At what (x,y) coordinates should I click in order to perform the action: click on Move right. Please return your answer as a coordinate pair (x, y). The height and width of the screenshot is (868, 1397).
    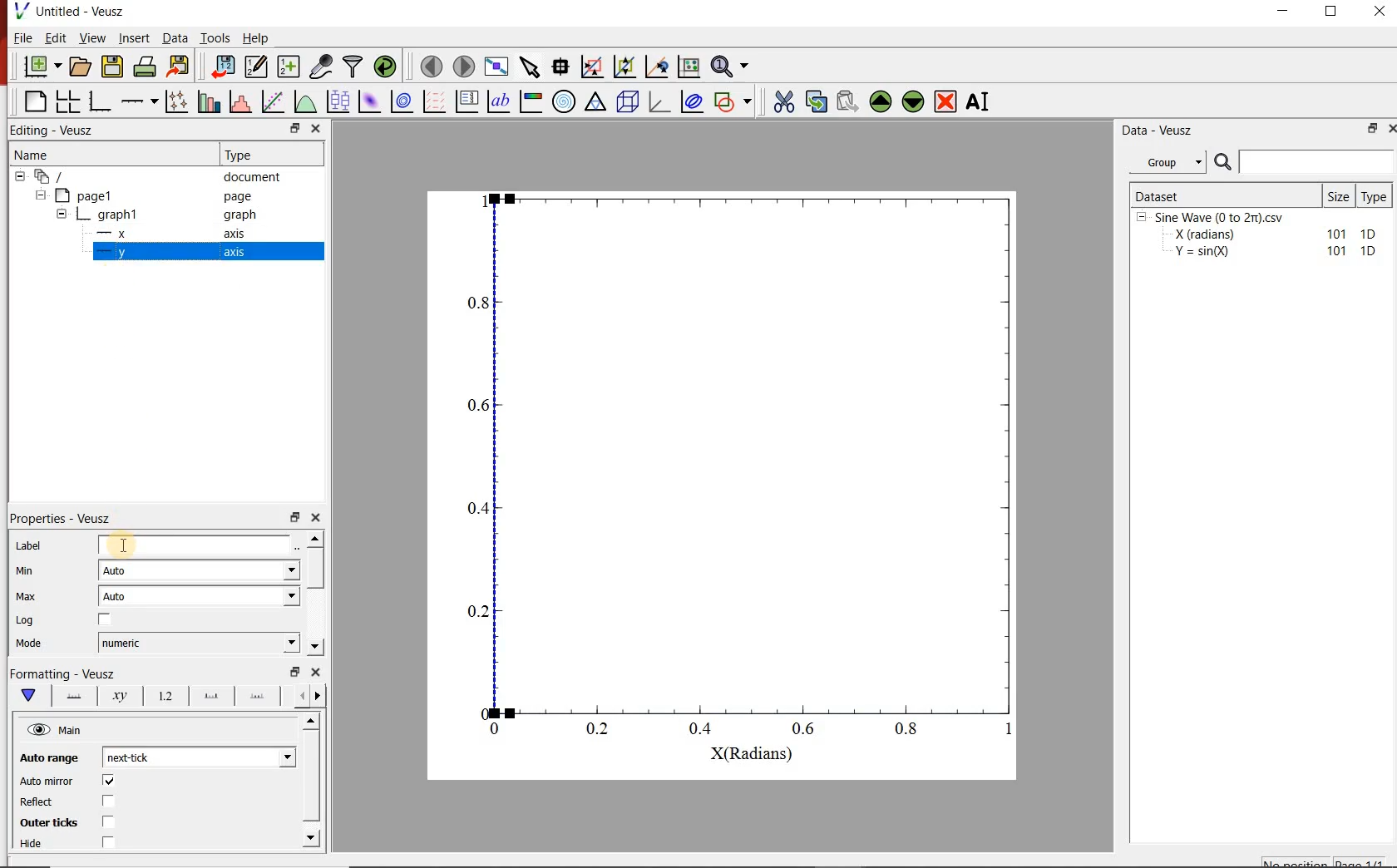
    Looking at the image, I should click on (320, 696).